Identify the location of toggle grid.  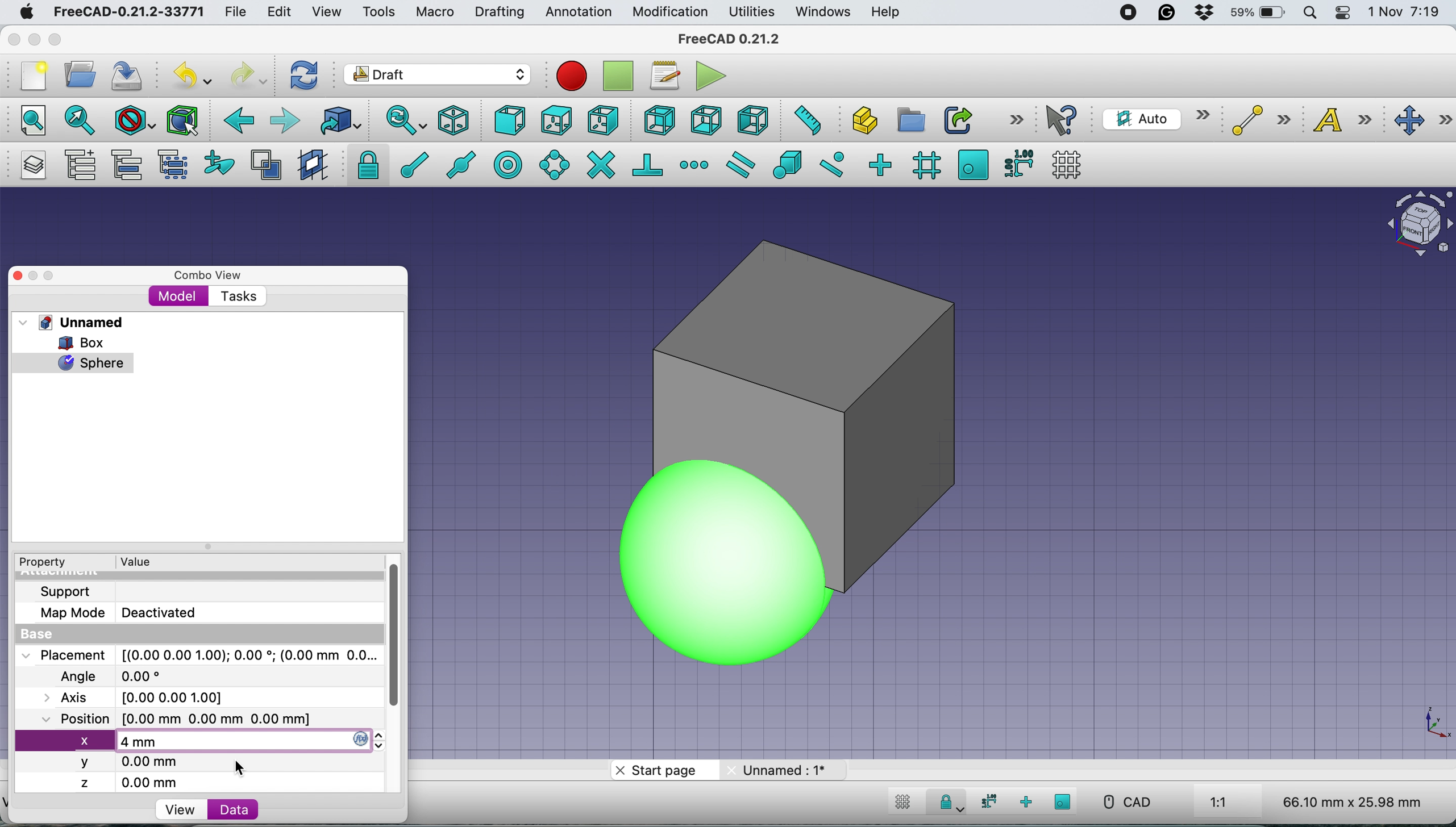
(1067, 165).